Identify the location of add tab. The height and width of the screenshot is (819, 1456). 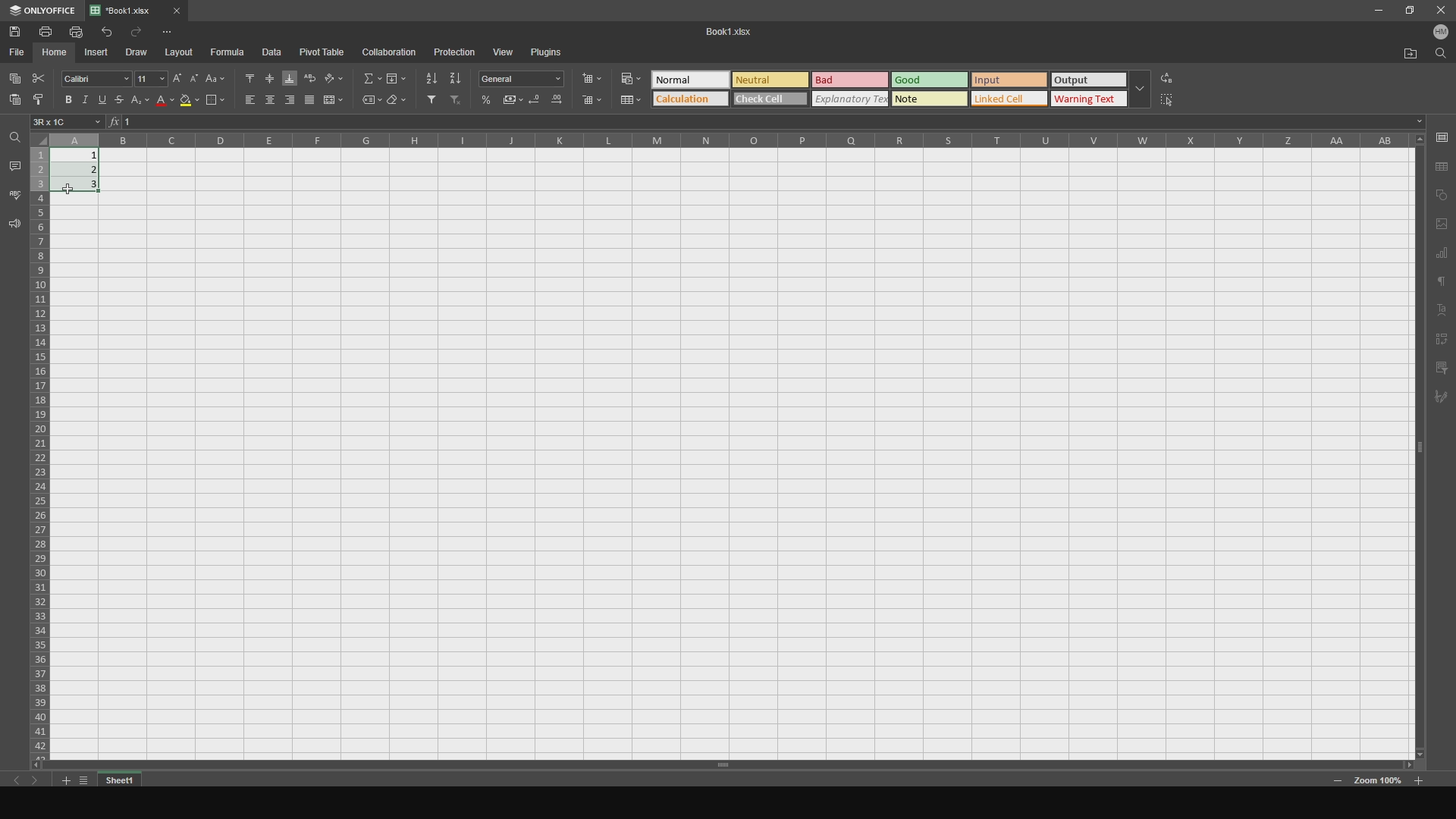
(63, 782).